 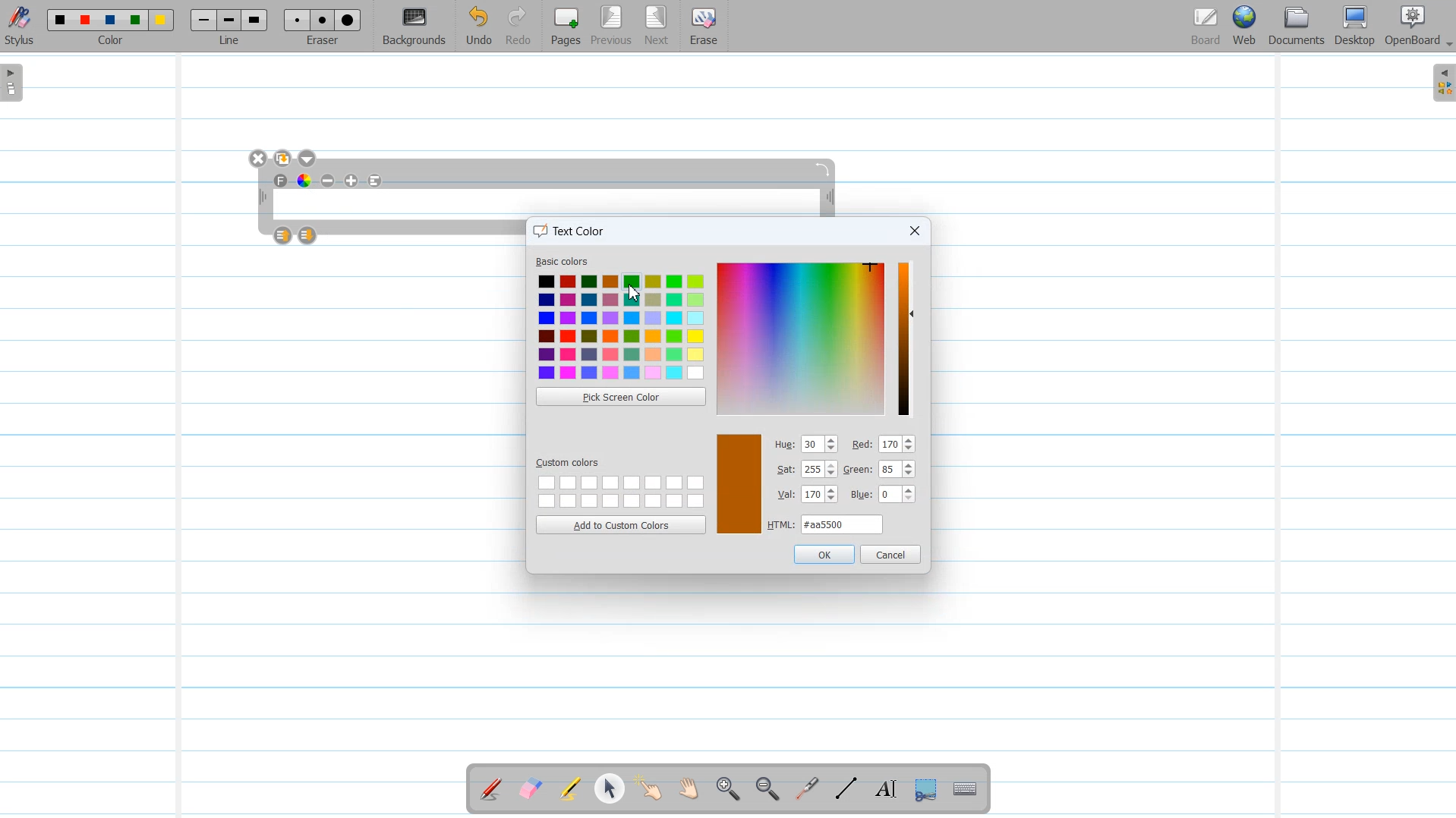 What do you see at coordinates (532, 790) in the screenshot?
I see `Erase Annotation` at bounding box center [532, 790].